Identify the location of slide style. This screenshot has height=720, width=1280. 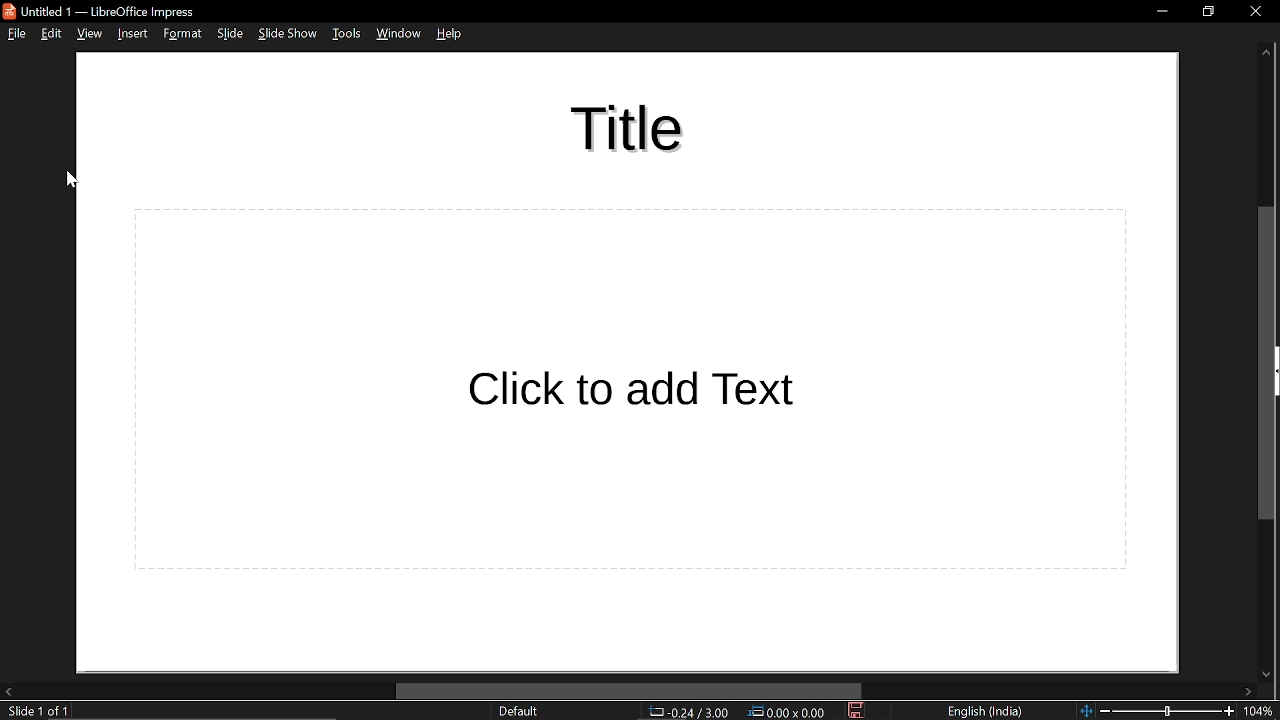
(518, 711).